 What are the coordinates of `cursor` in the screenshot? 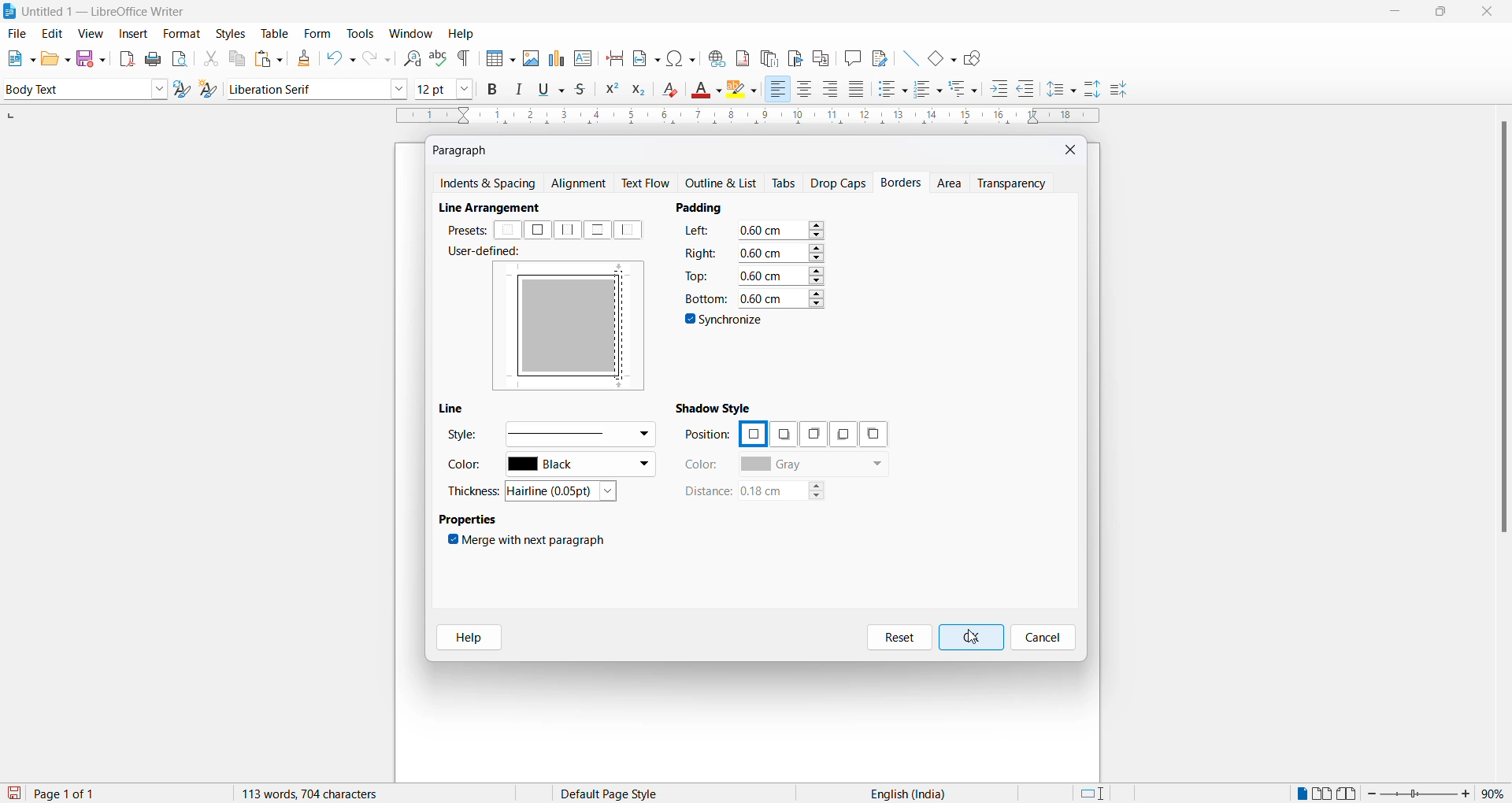 It's located at (971, 638).